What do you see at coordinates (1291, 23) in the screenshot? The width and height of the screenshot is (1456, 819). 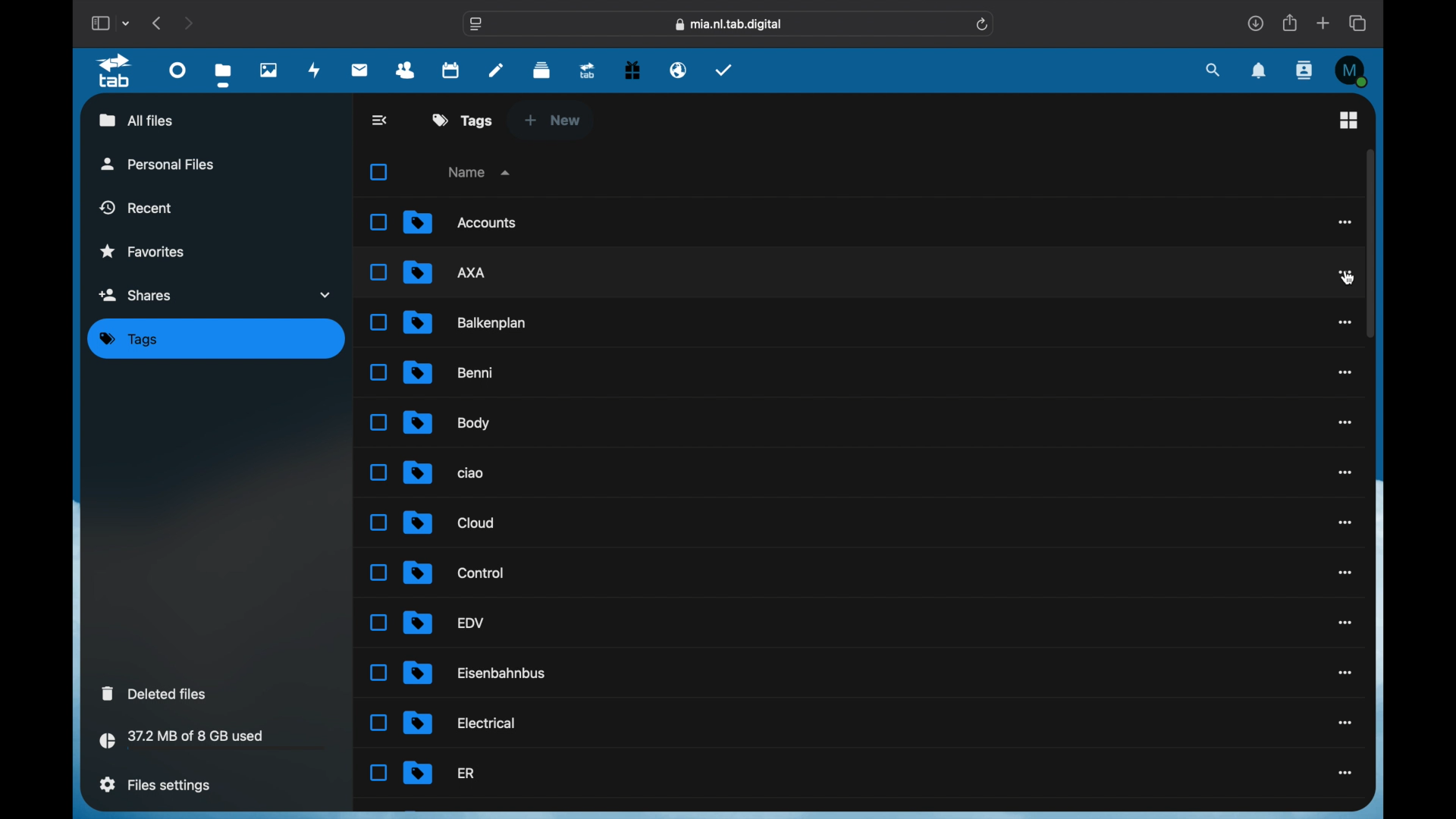 I see `share` at bounding box center [1291, 23].